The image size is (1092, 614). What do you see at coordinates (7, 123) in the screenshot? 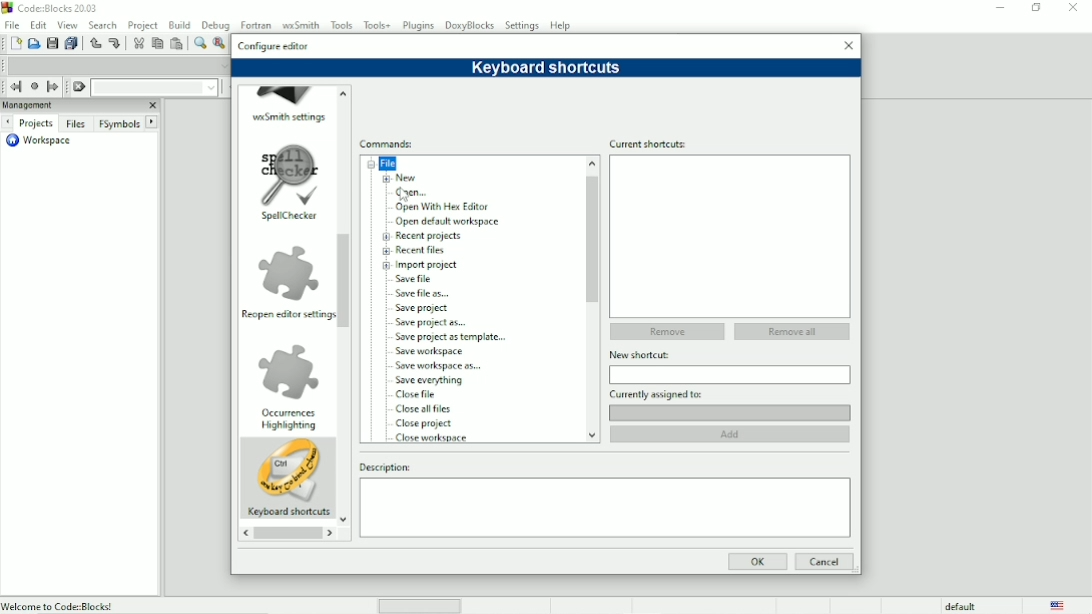
I see `Next` at bounding box center [7, 123].